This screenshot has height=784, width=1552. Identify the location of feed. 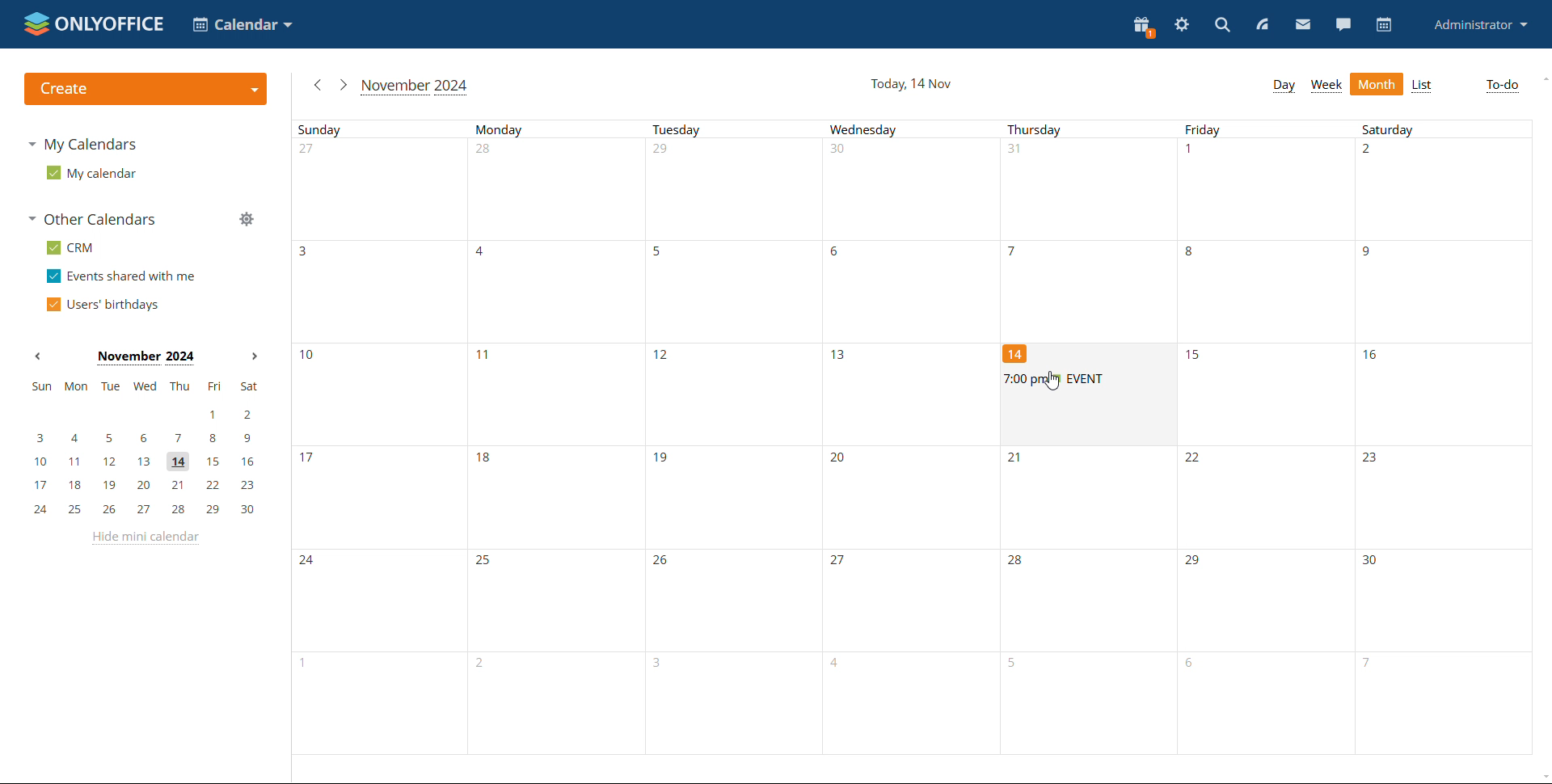
(1261, 23).